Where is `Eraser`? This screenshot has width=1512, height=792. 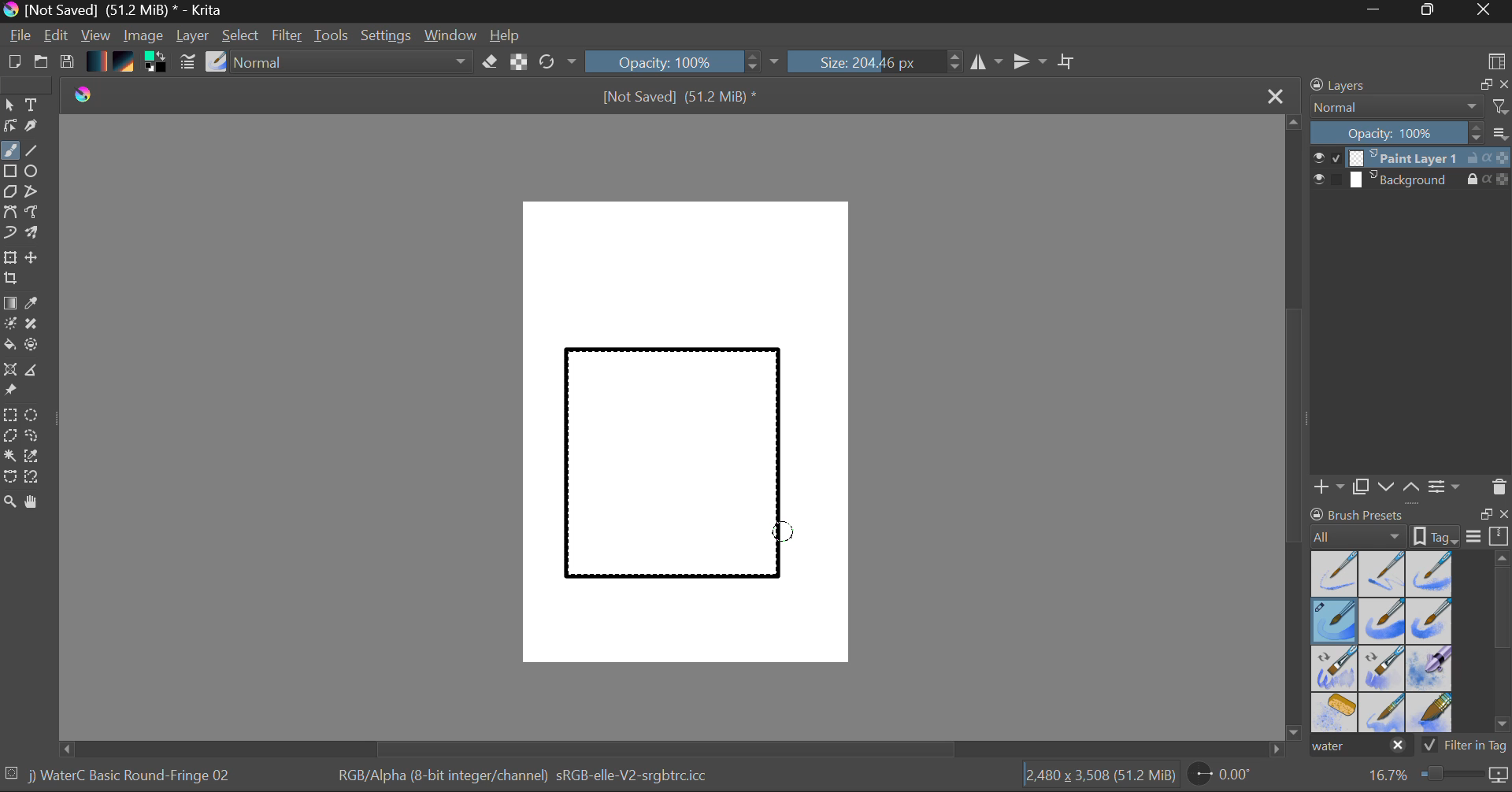 Eraser is located at coordinates (491, 62).